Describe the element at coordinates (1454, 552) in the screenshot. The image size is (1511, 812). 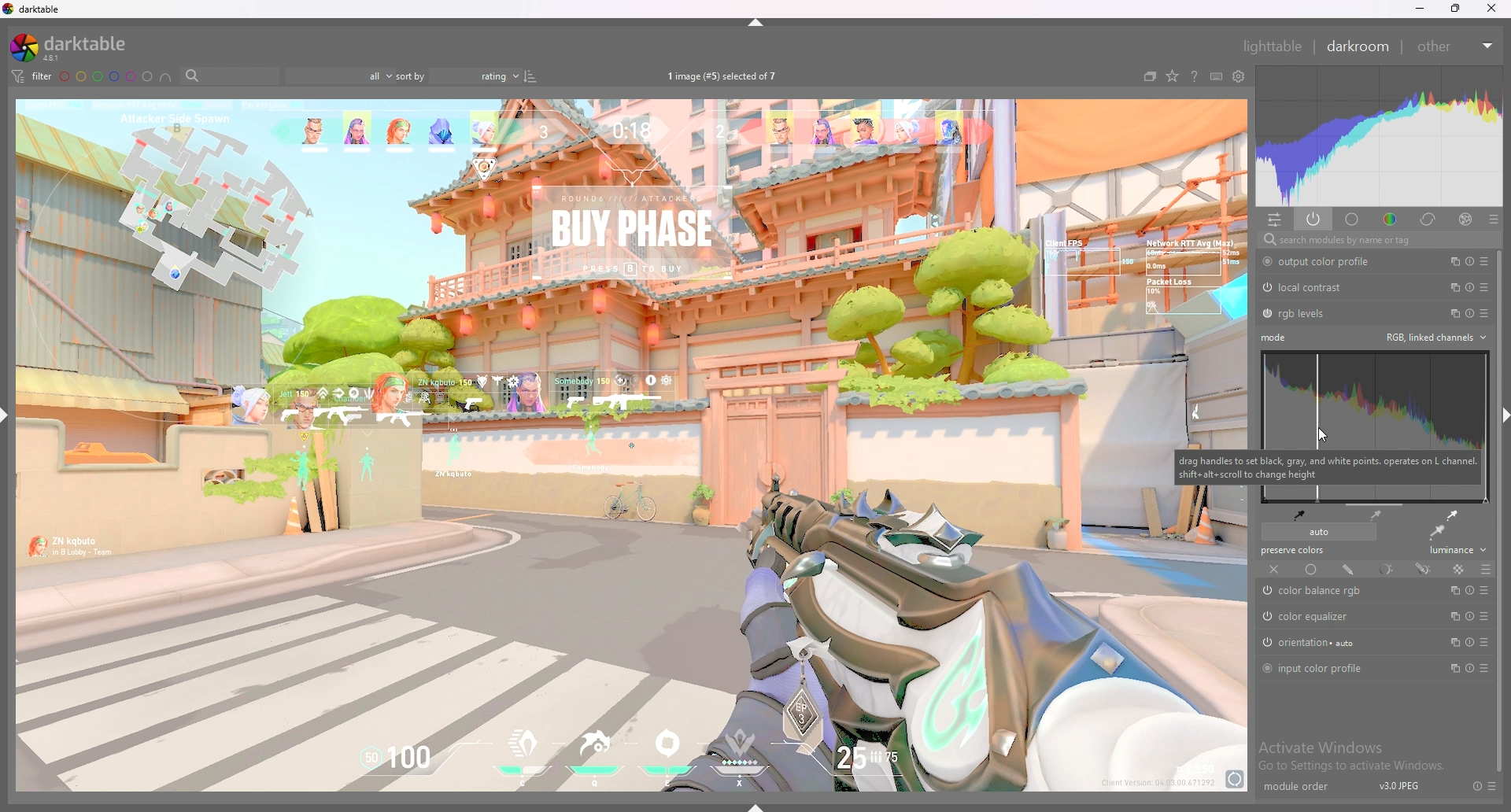
I see `luminance` at that location.